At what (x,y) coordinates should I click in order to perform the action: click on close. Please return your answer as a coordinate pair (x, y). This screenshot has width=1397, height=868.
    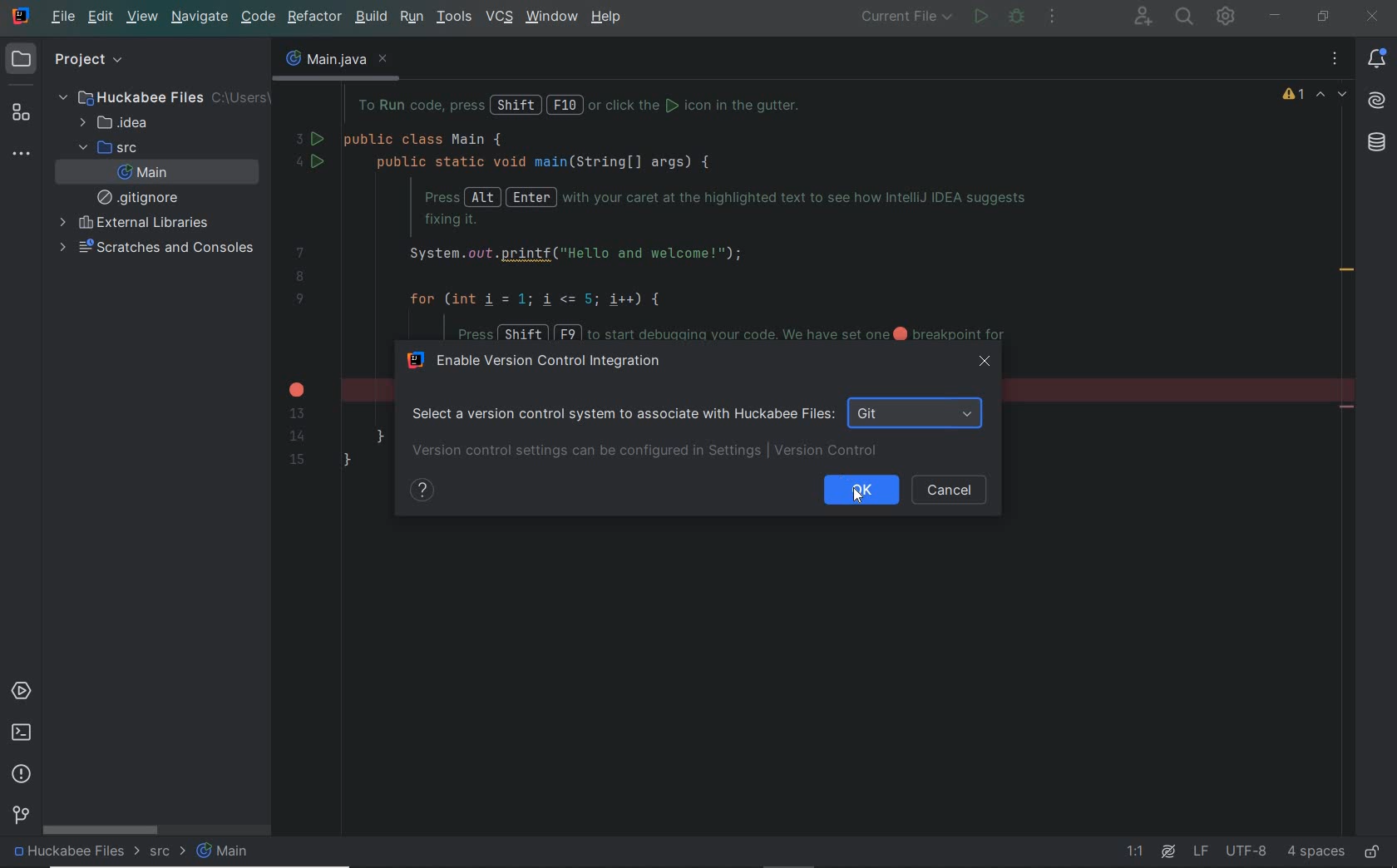
    Looking at the image, I should click on (986, 363).